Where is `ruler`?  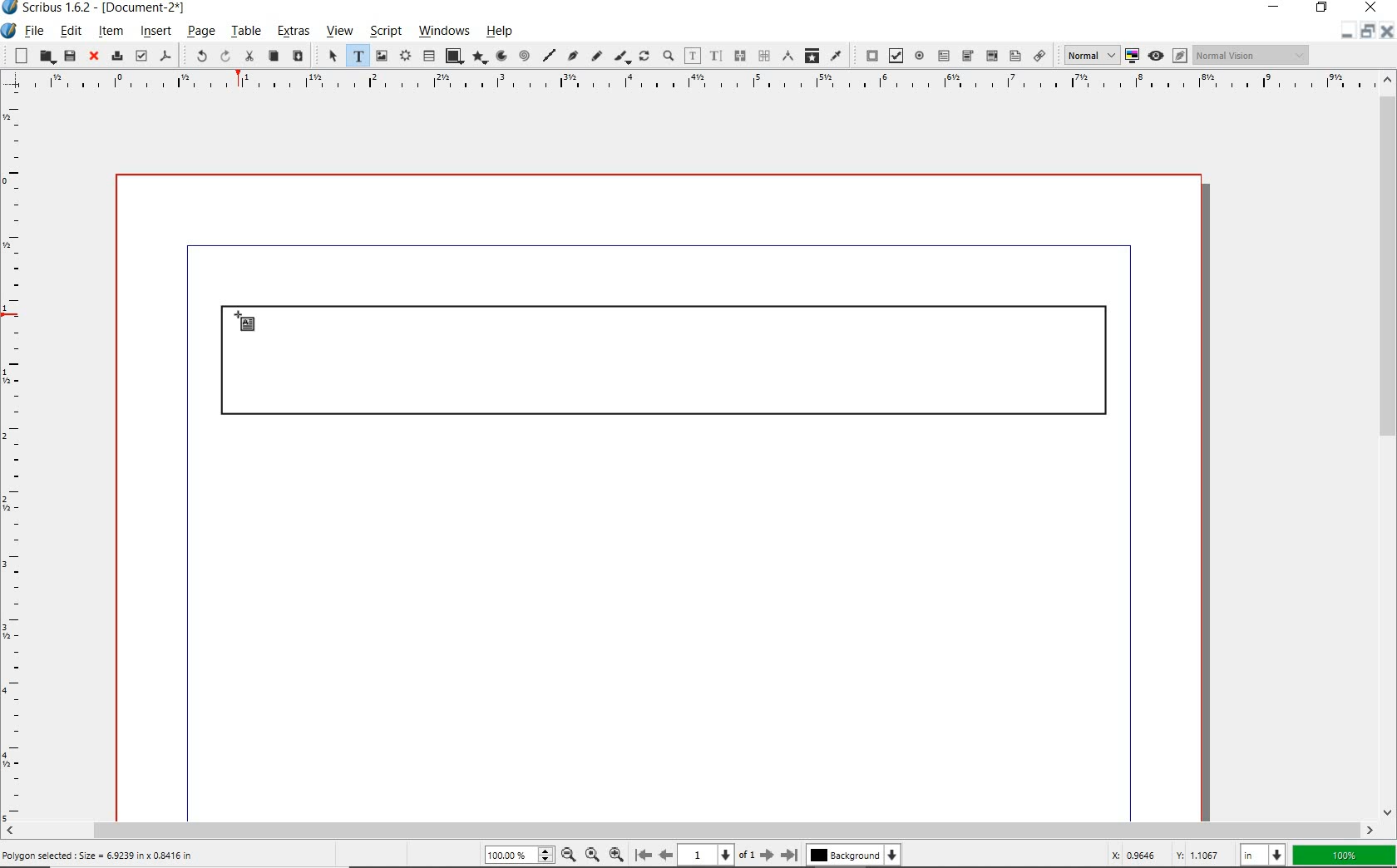 ruler is located at coordinates (692, 84).